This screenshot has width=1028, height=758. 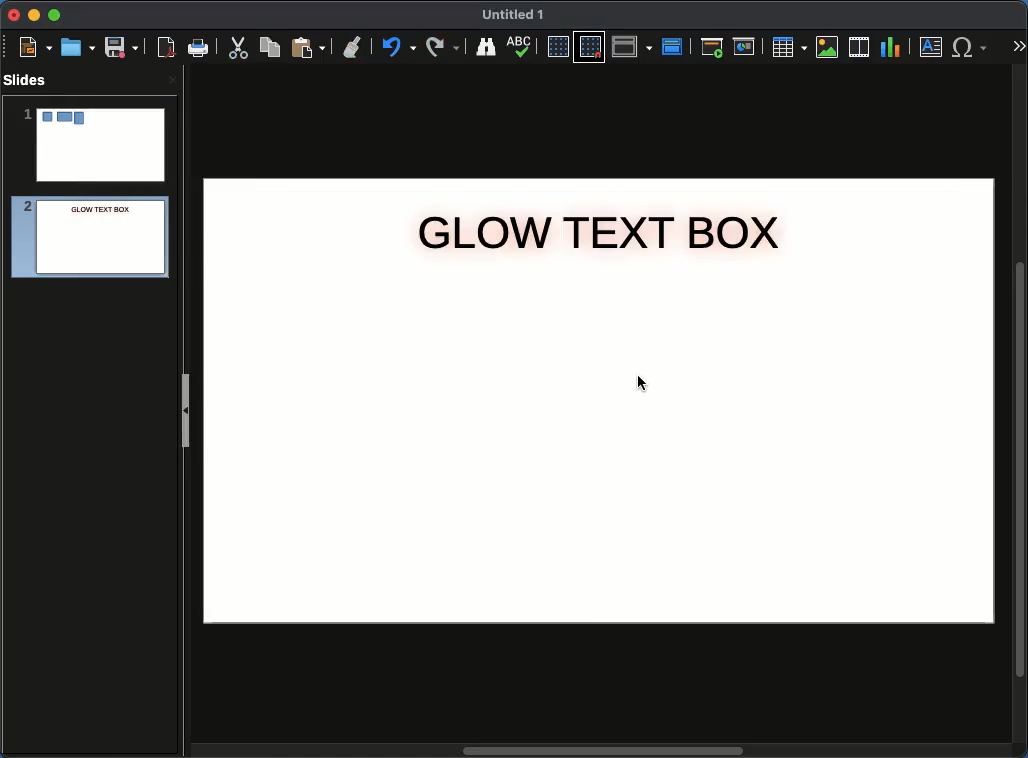 I want to click on Master slide, so click(x=675, y=46).